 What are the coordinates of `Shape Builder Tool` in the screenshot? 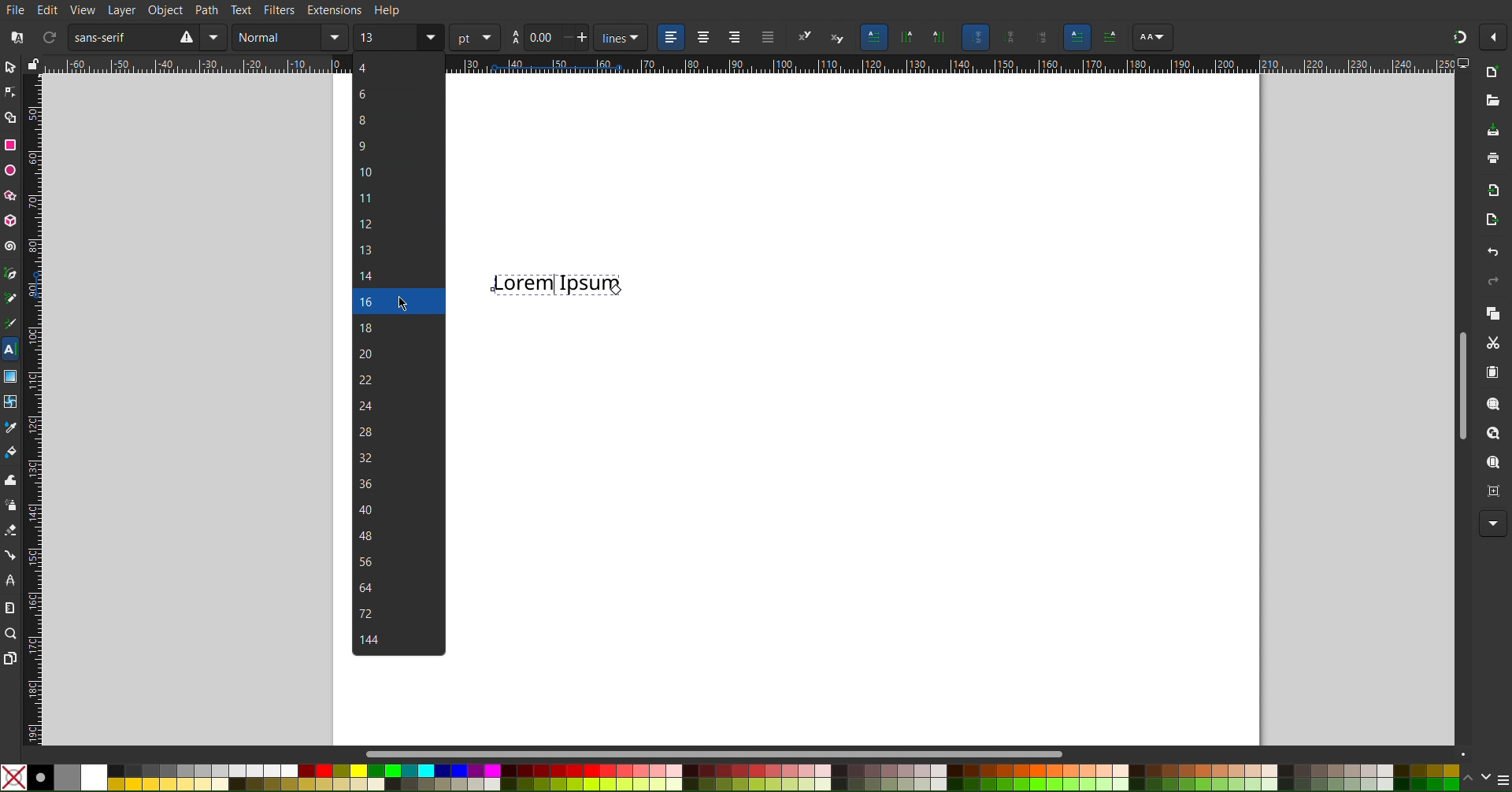 It's located at (11, 117).